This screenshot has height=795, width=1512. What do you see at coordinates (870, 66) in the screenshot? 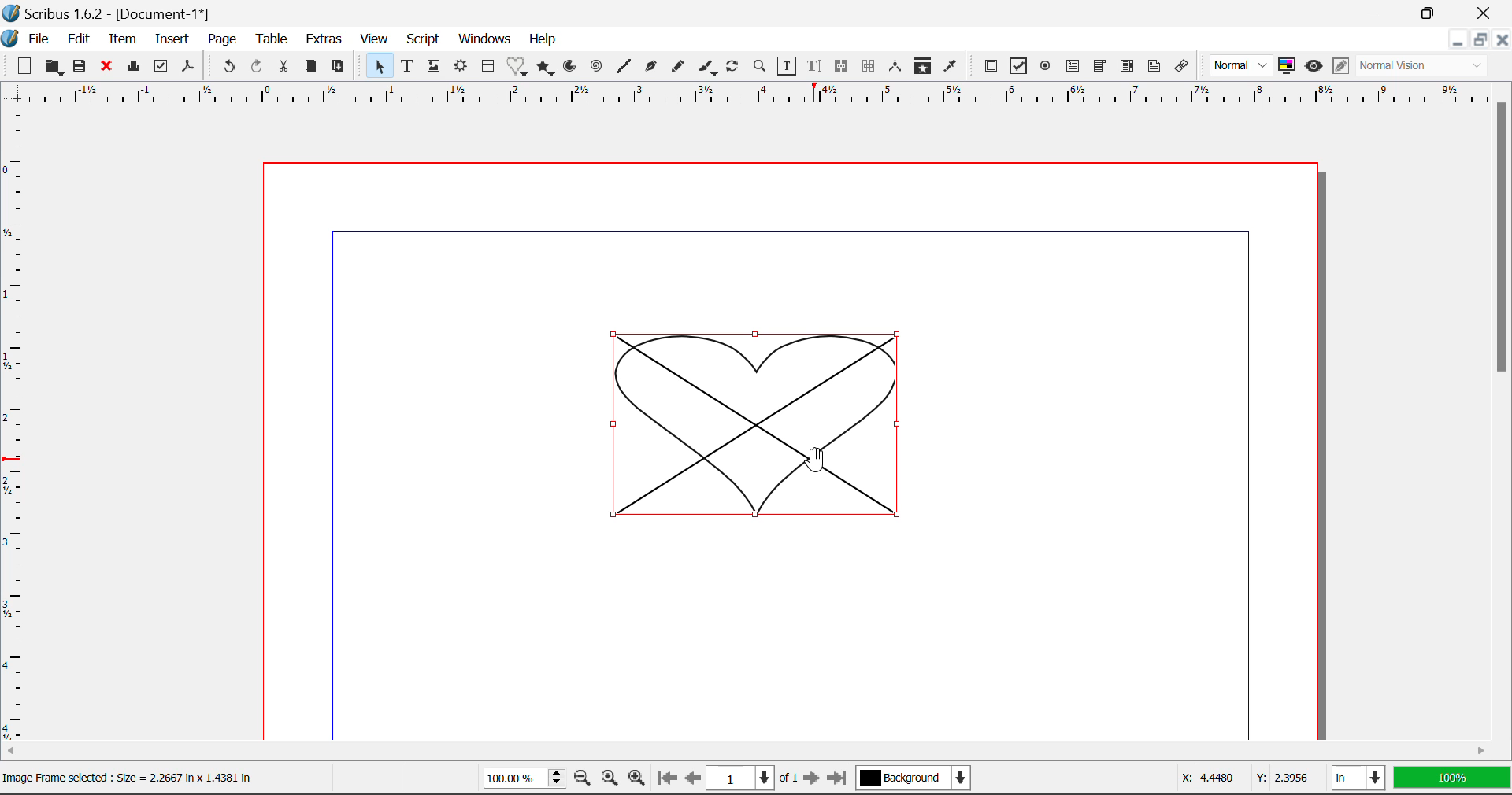
I see `Delink Text Frames` at bounding box center [870, 66].